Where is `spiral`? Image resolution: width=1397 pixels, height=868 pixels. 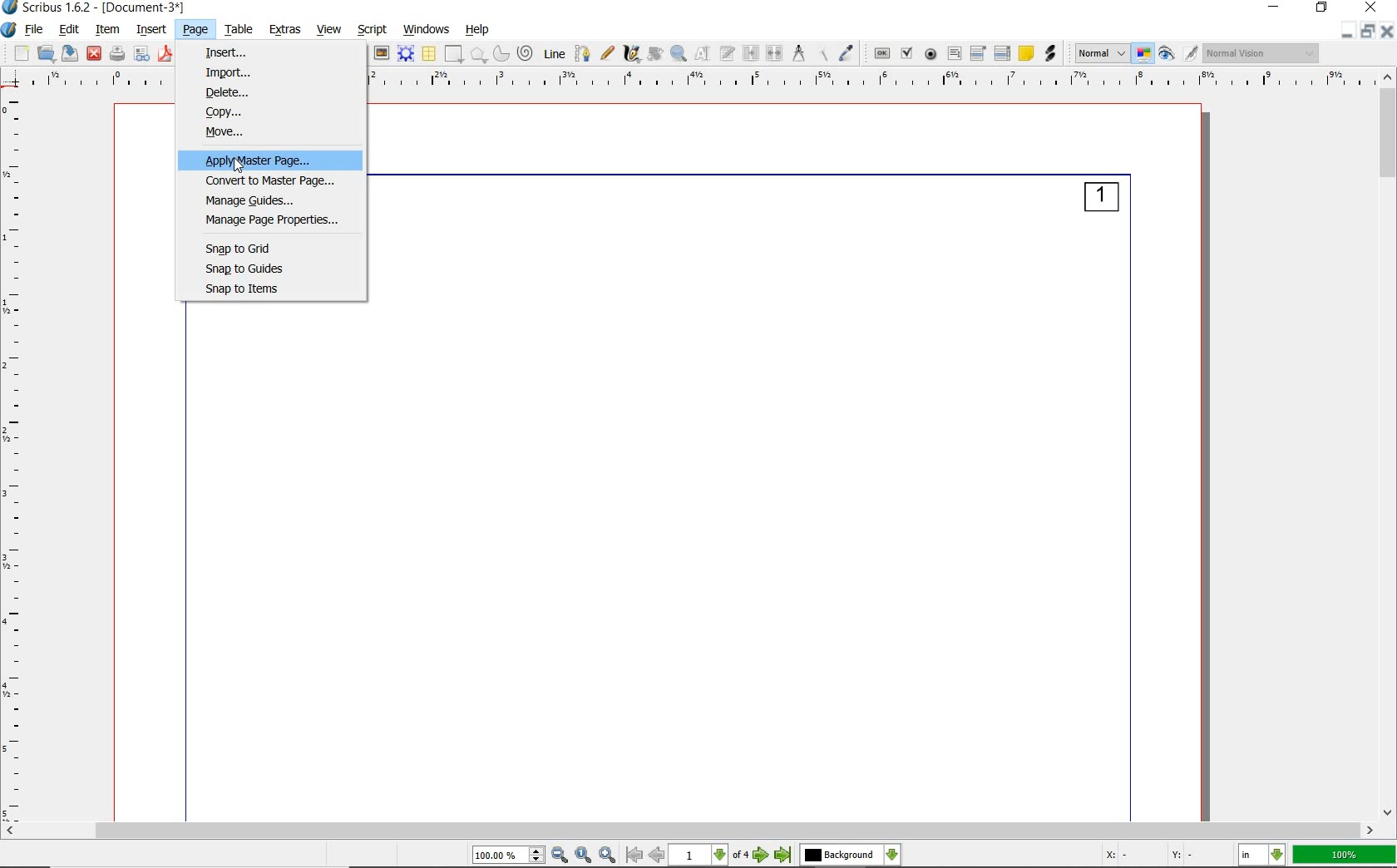
spiral is located at coordinates (528, 53).